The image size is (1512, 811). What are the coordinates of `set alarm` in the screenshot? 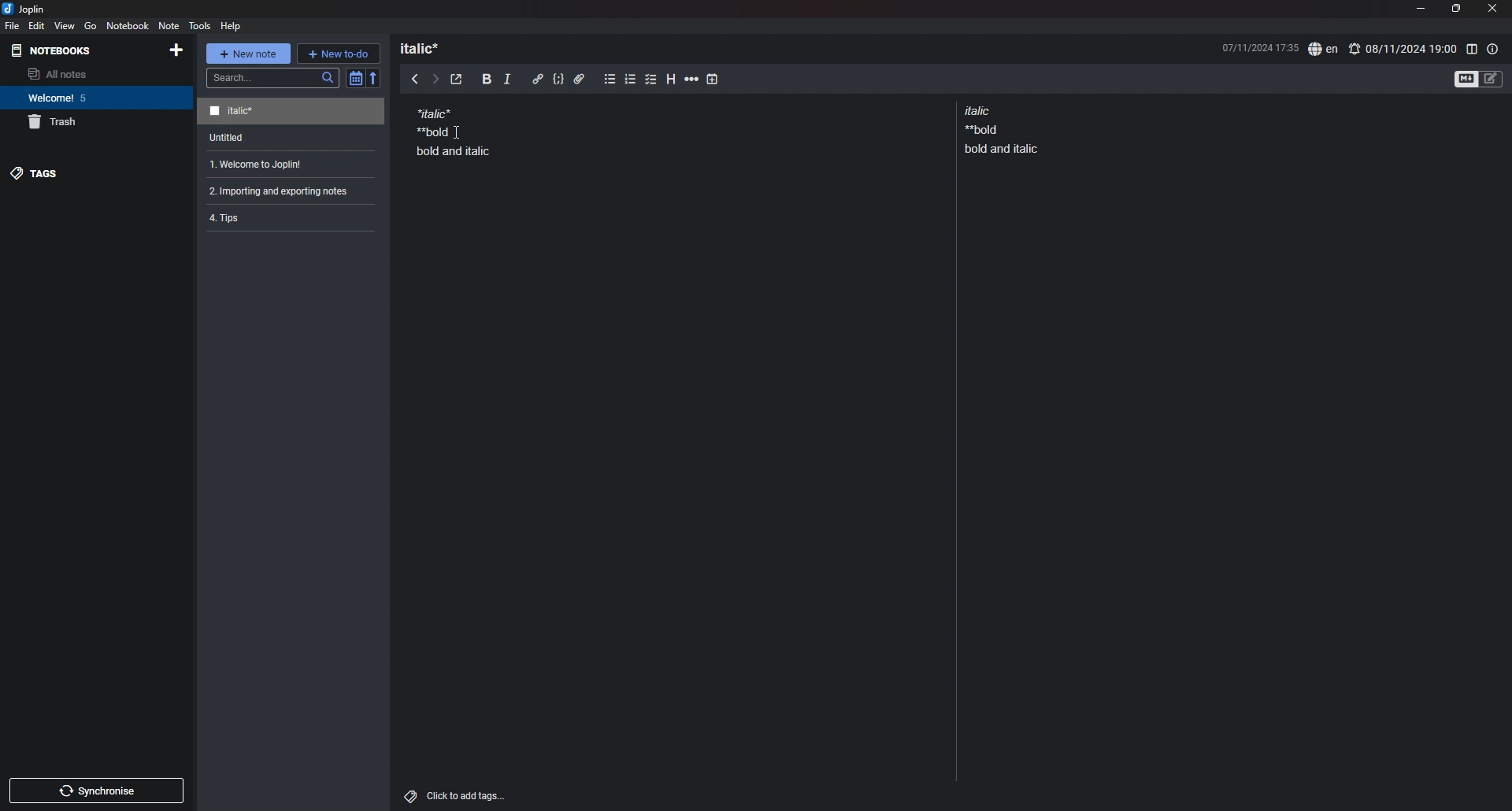 It's located at (1403, 48).